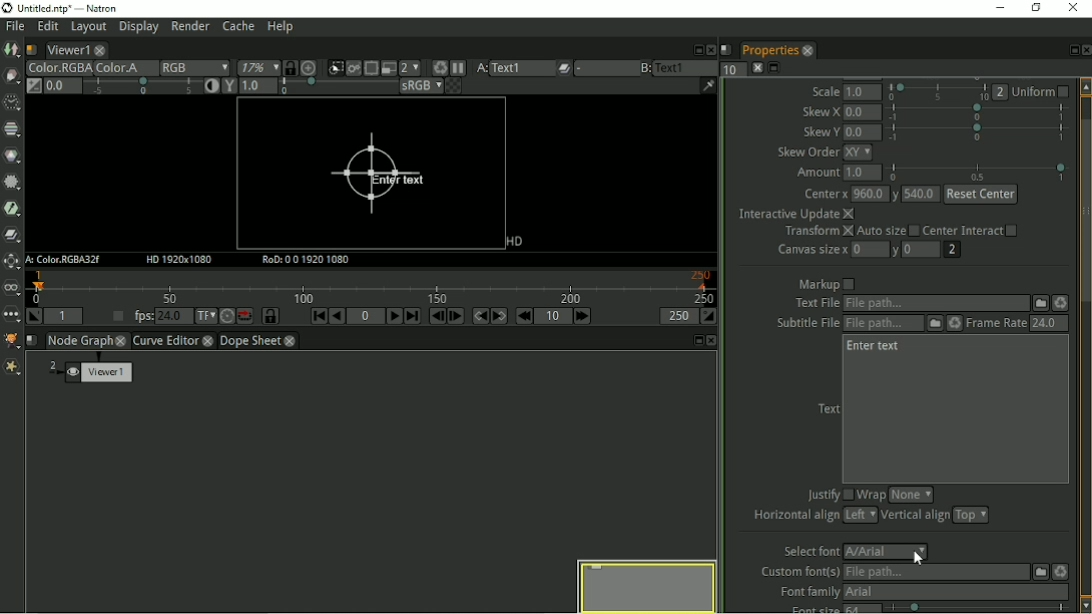 The image size is (1092, 614). I want to click on Frame increment, so click(554, 316).